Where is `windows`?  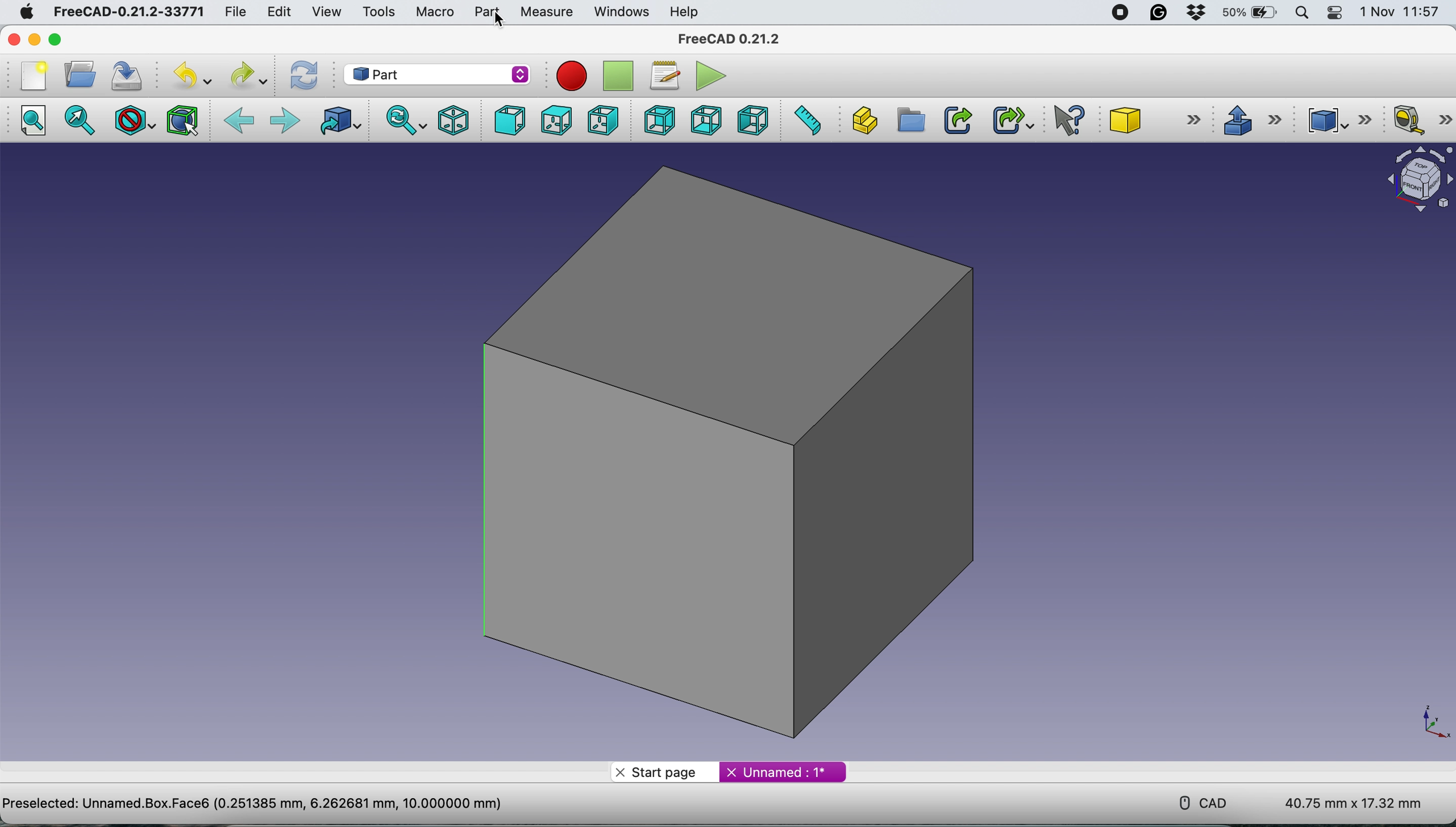
windows is located at coordinates (620, 11).